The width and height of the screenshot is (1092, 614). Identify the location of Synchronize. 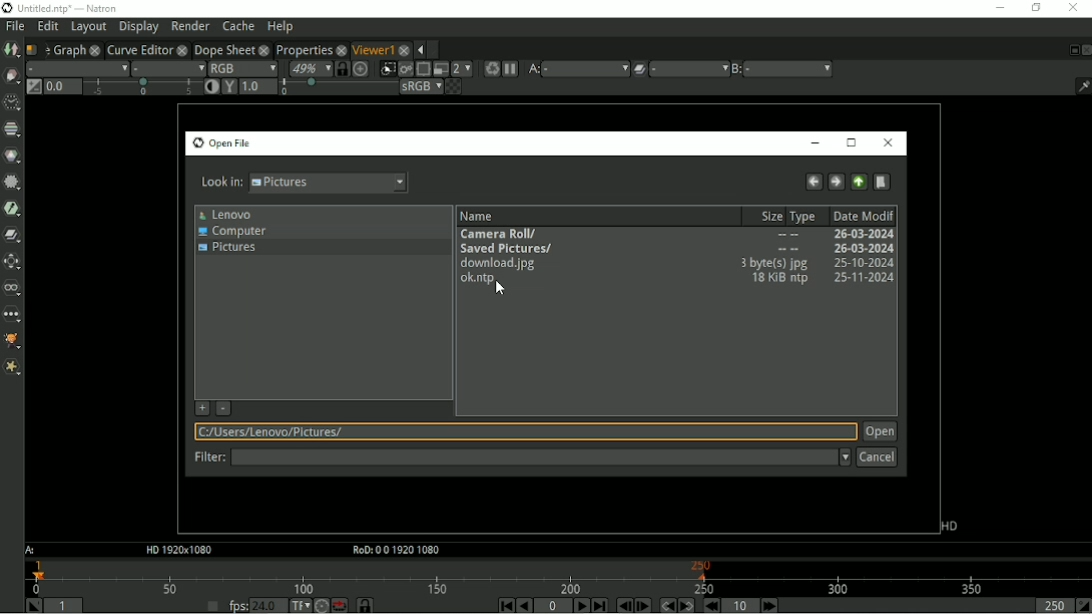
(342, 68).